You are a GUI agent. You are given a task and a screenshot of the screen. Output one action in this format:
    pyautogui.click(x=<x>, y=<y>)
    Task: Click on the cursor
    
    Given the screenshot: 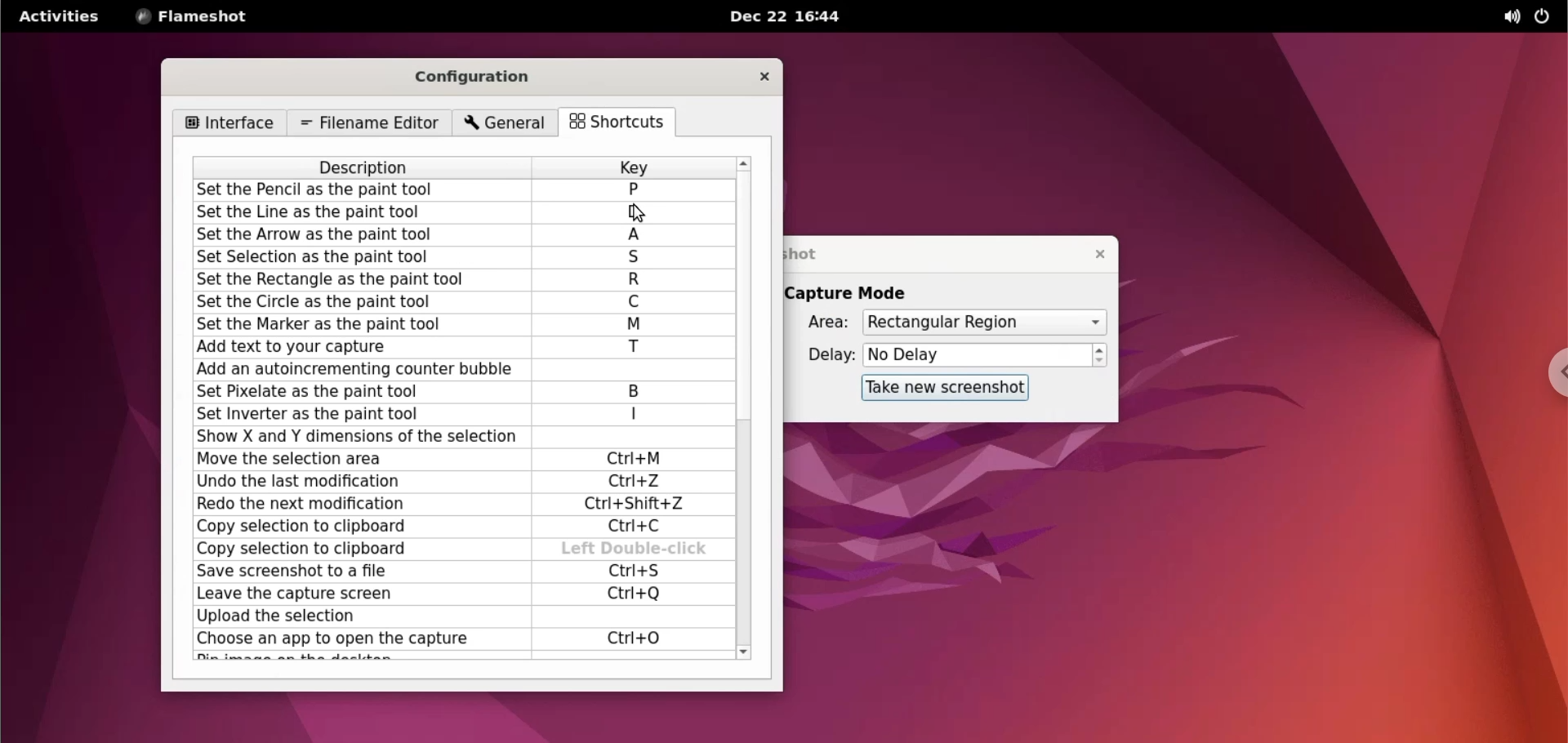 What is the action you would take?
    pyautogui.click(x=646, y=213)
    